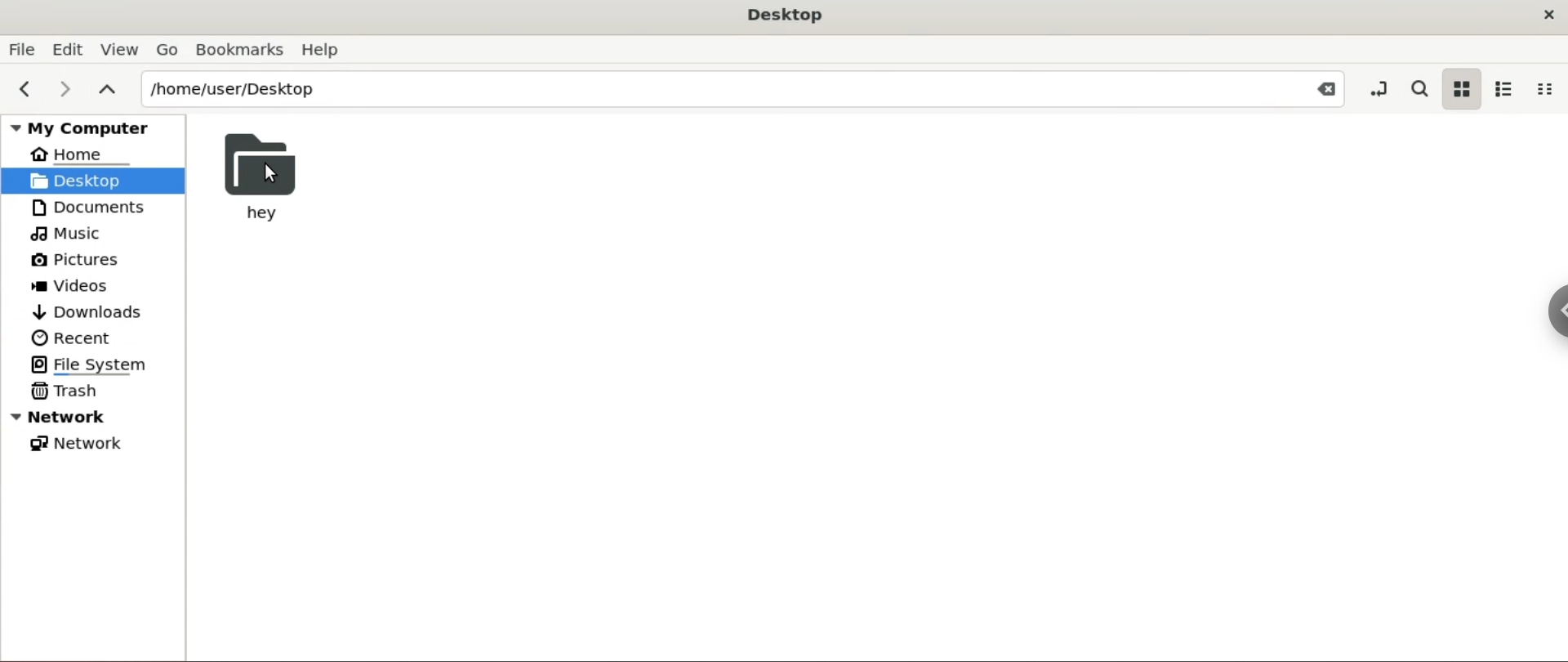  I want to click on Documents, so click(87, 207).